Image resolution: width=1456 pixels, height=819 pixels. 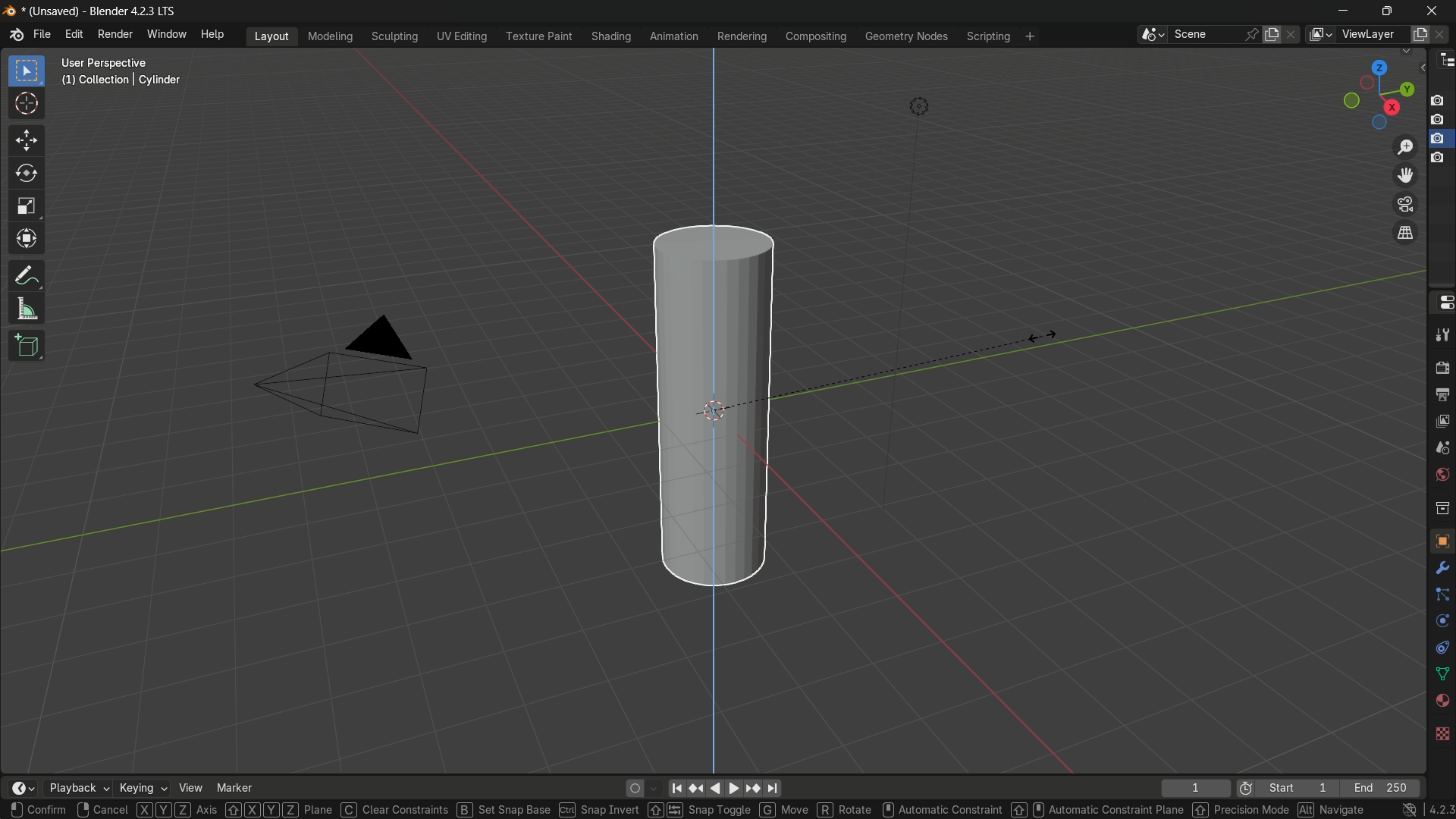 I want to click on cursor, so click(x=1042, y=338).